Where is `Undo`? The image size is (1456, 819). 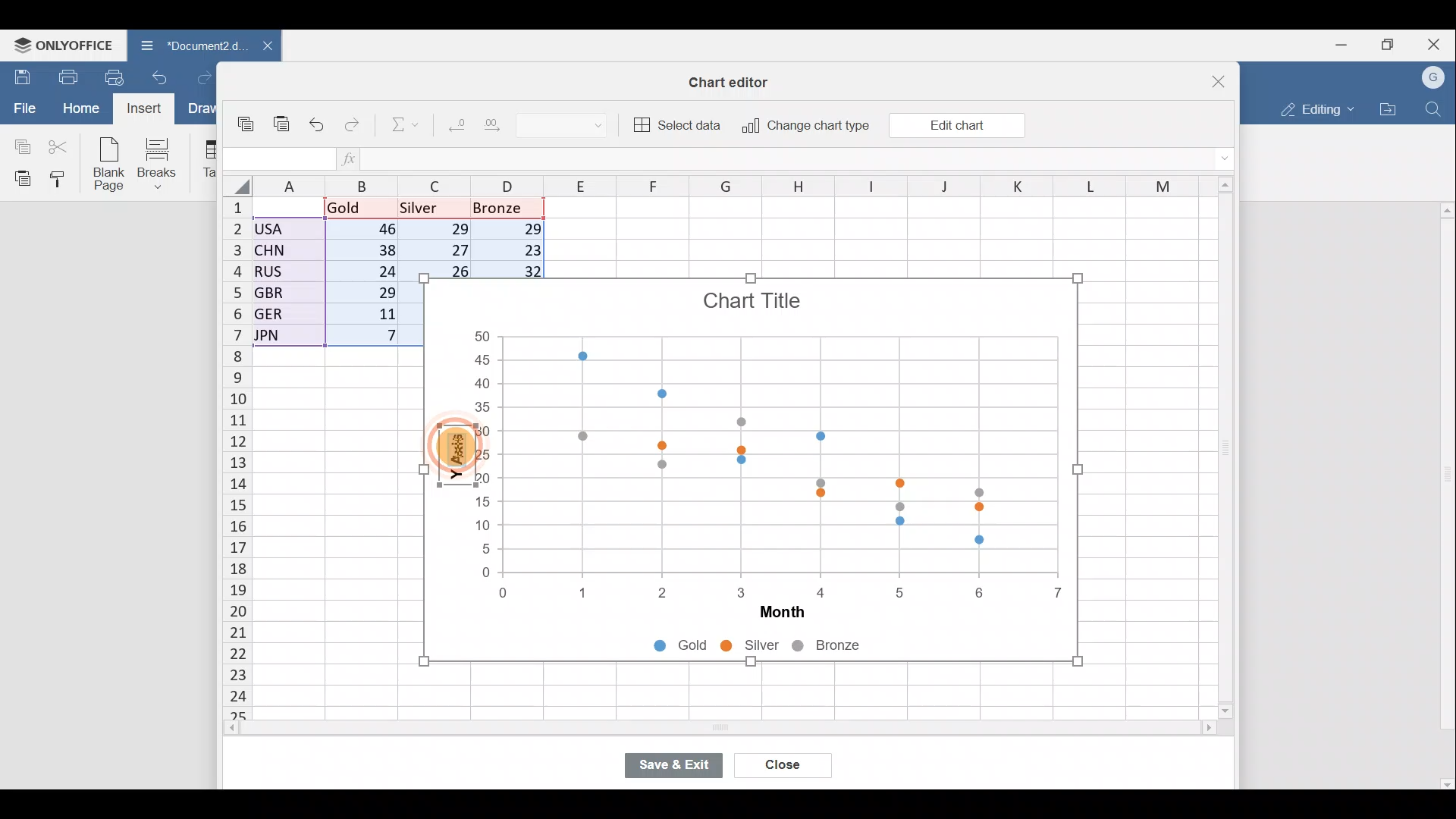 Undo is located at coordinates (318, 122).